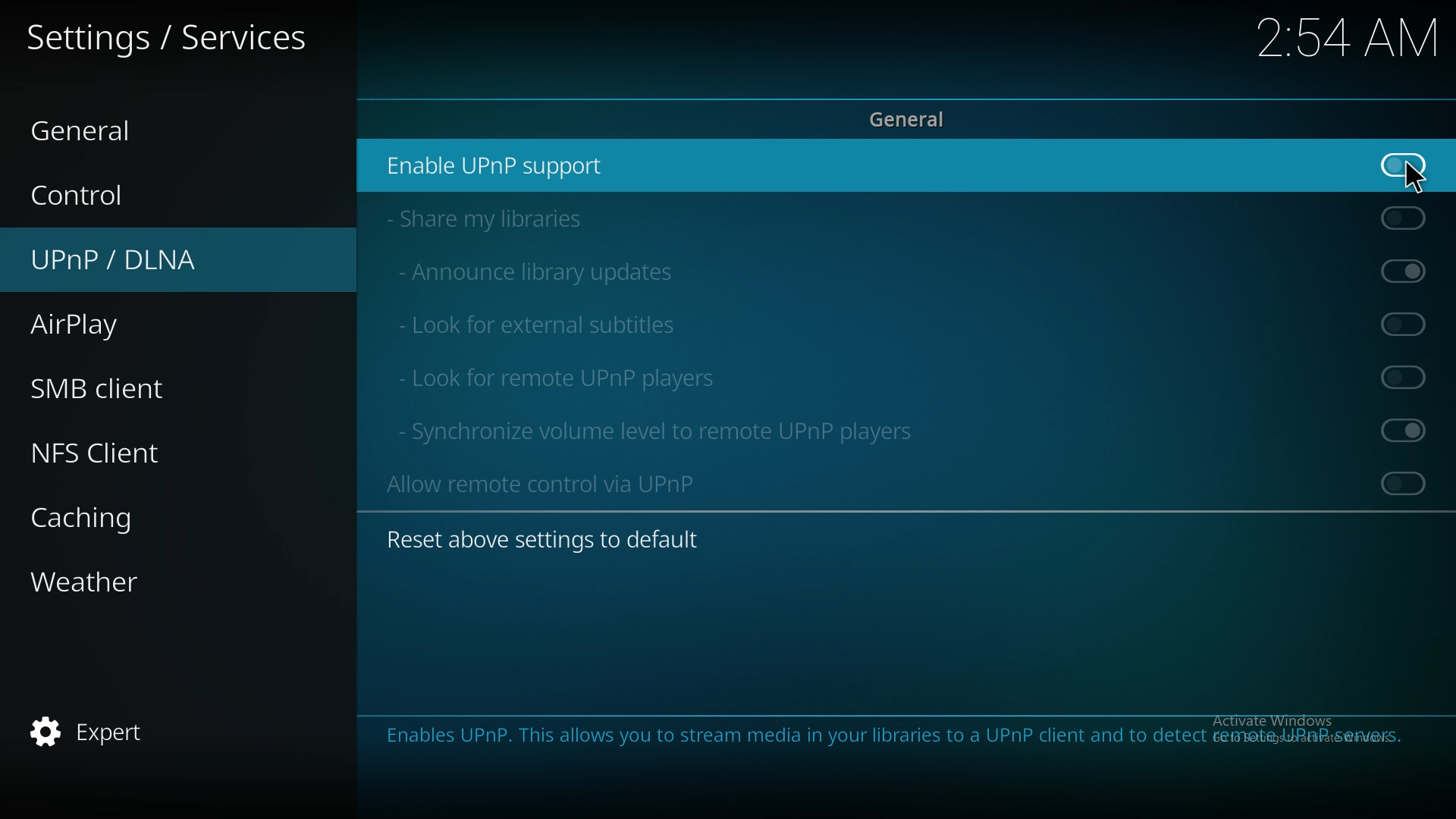 The image size is (1456, 819). I want to click on on, so click(1414, 163).